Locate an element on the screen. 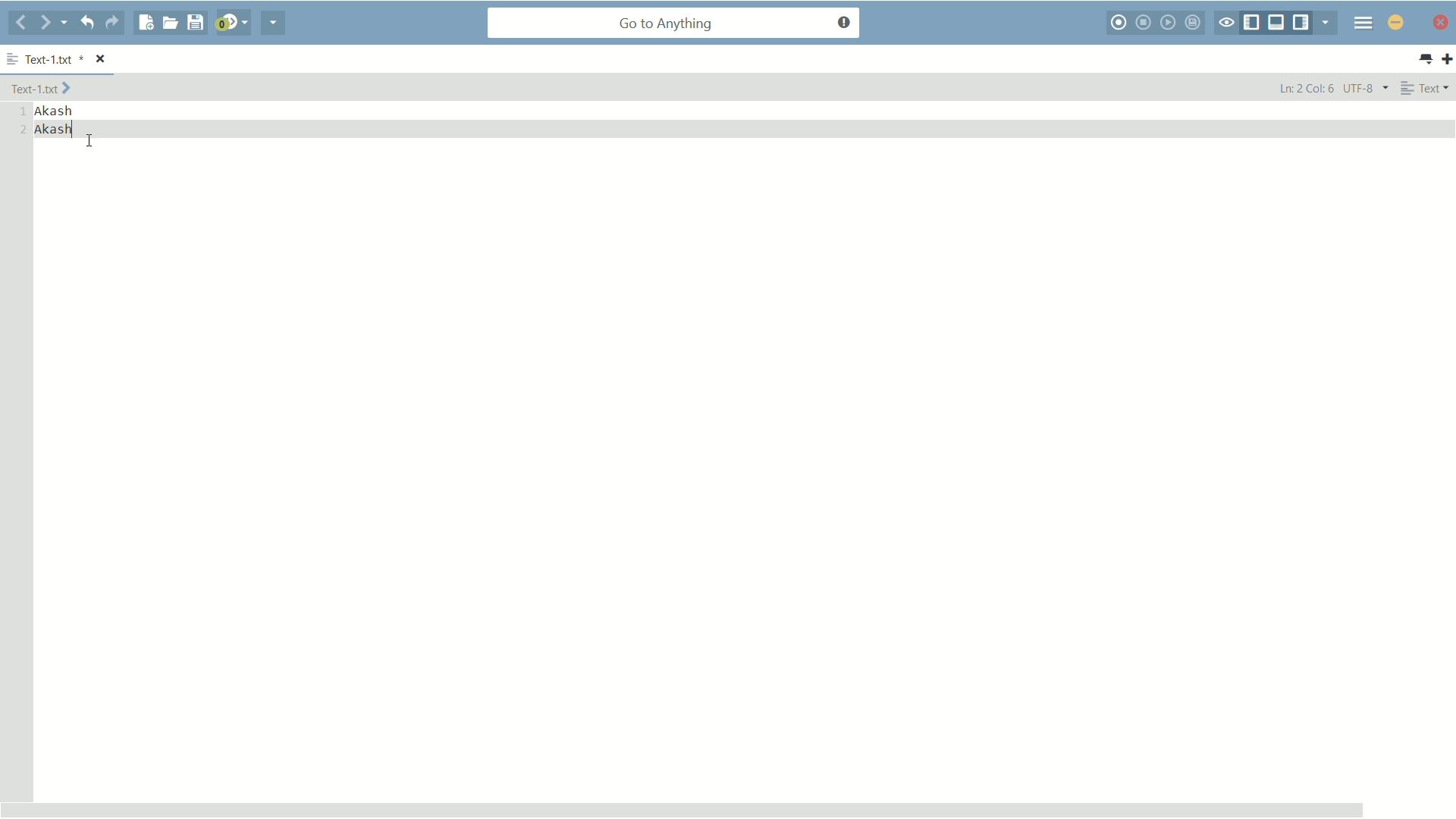  show/hide left panel is located at coordinates (1250, 23).